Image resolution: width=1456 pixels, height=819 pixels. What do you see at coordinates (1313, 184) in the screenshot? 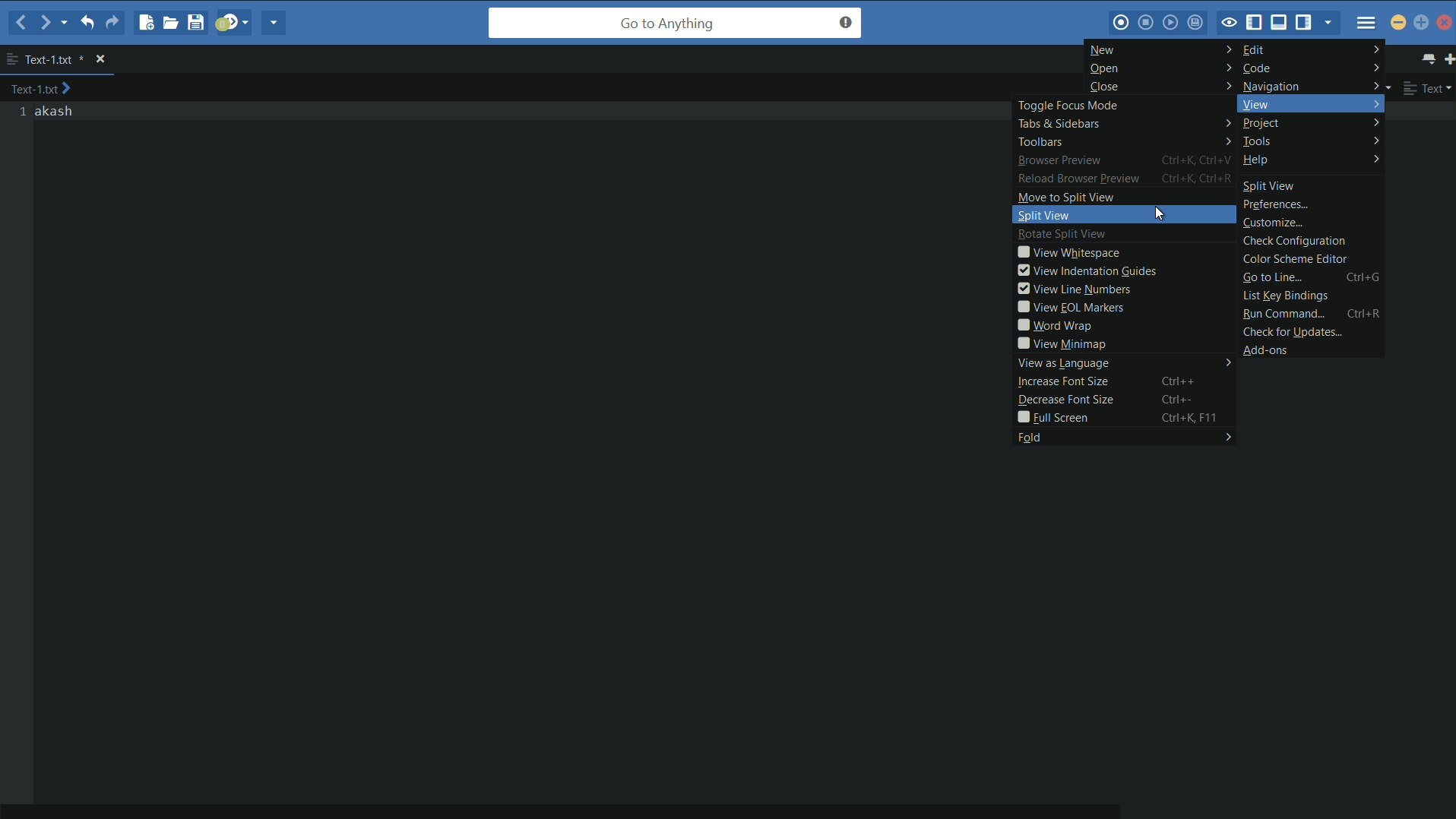
I see `split view` at bounding box center [1313, 184].